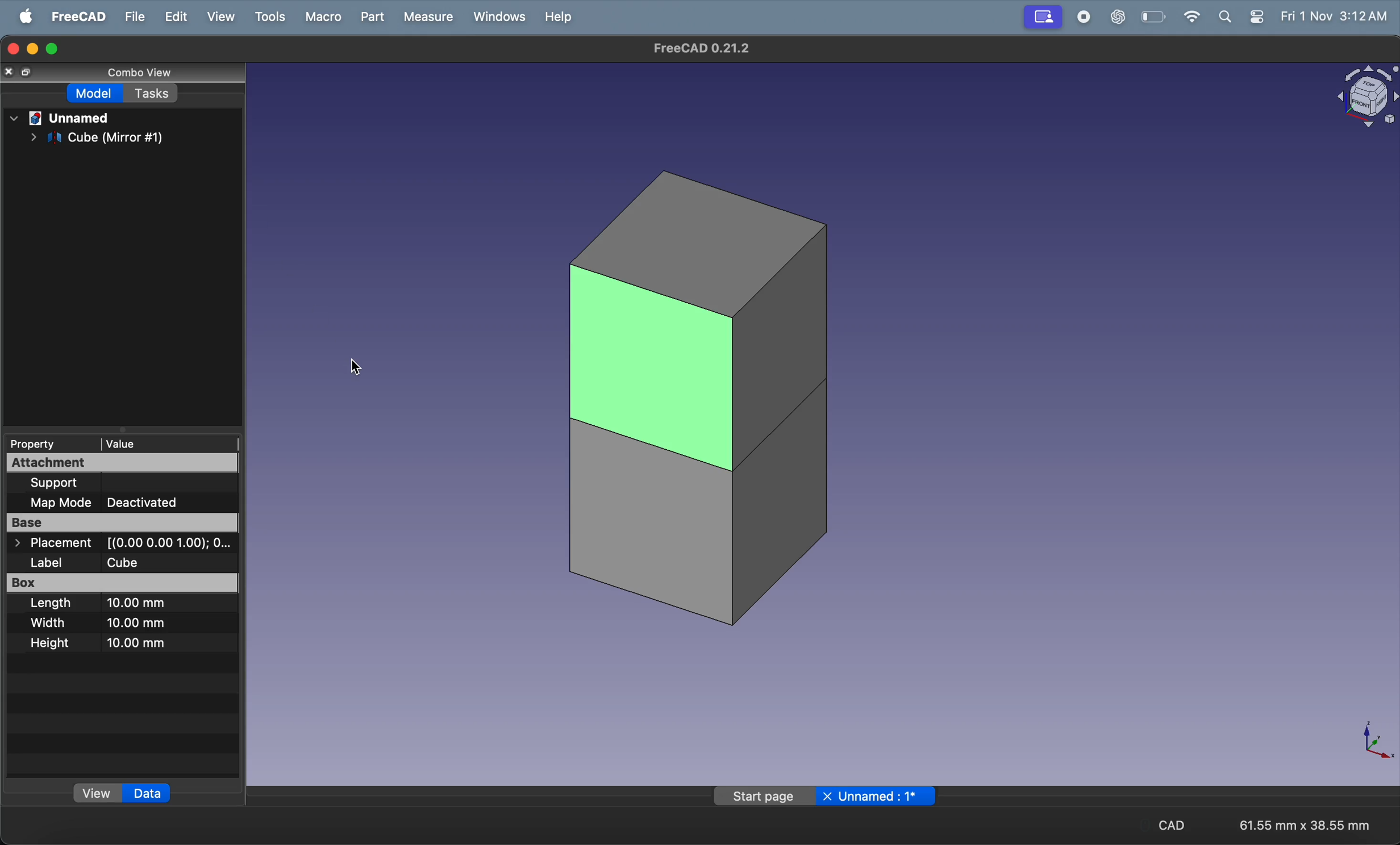  I want to click on help, so click(557, 18).